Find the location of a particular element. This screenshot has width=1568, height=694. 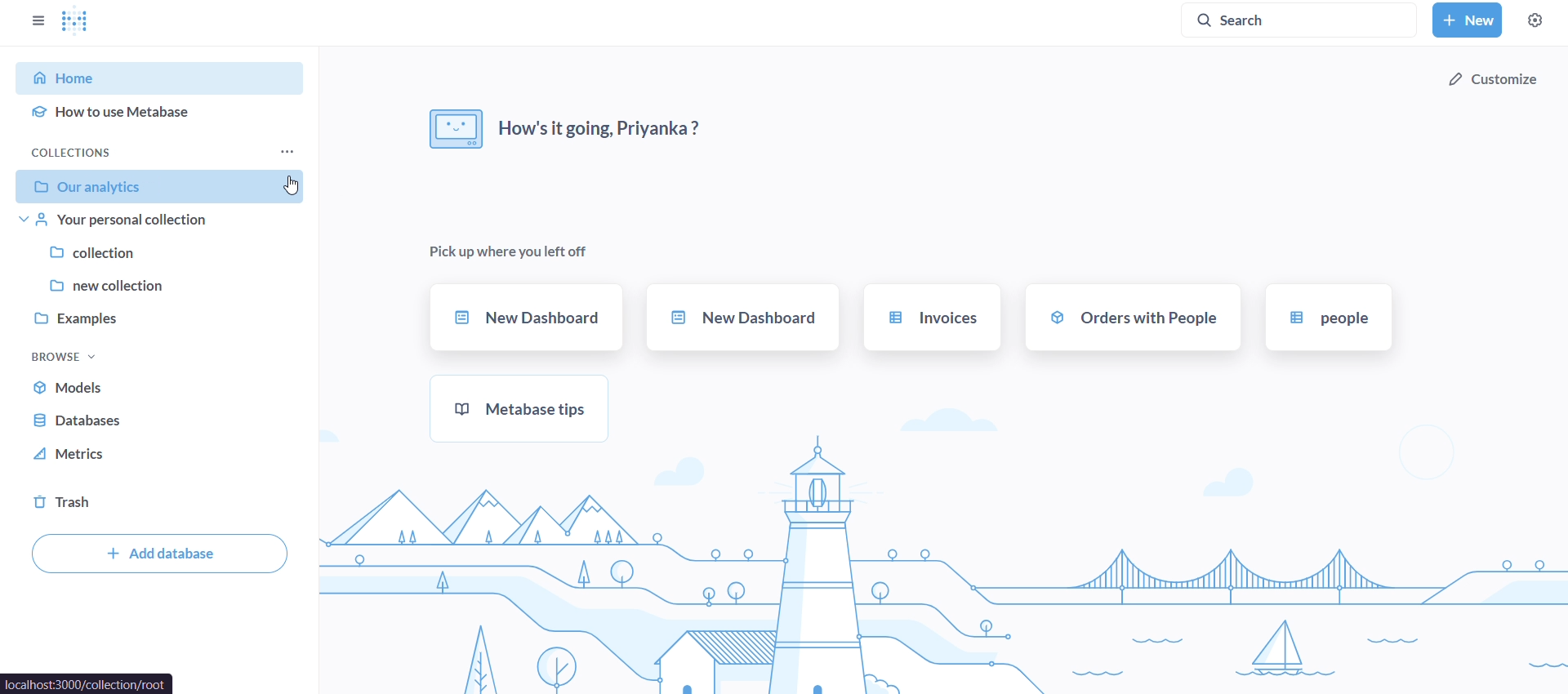

how to use metabase is located at coordinates (168, 109).